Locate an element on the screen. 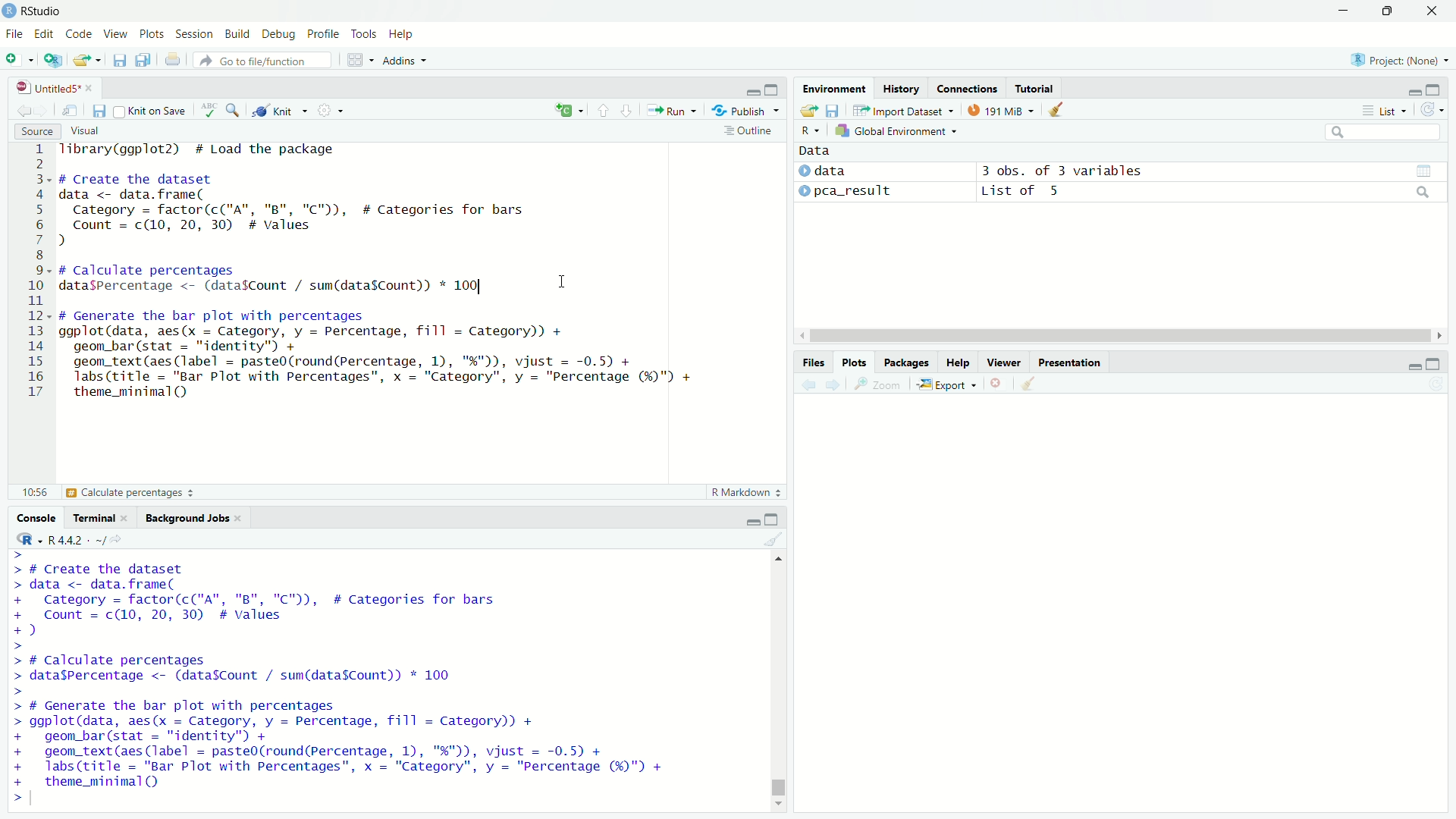 The image size is (1456, 819). maximize is located at coordinates (1436, 89).